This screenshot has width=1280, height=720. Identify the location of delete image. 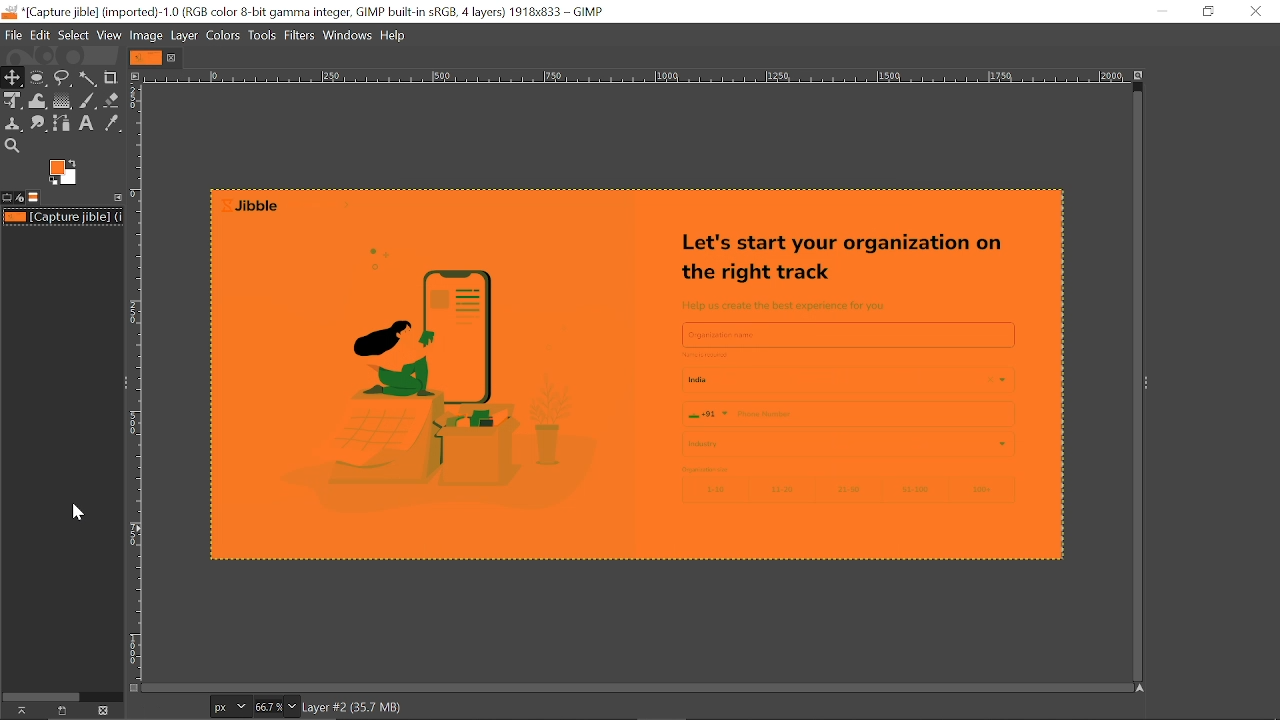
(103, 711).